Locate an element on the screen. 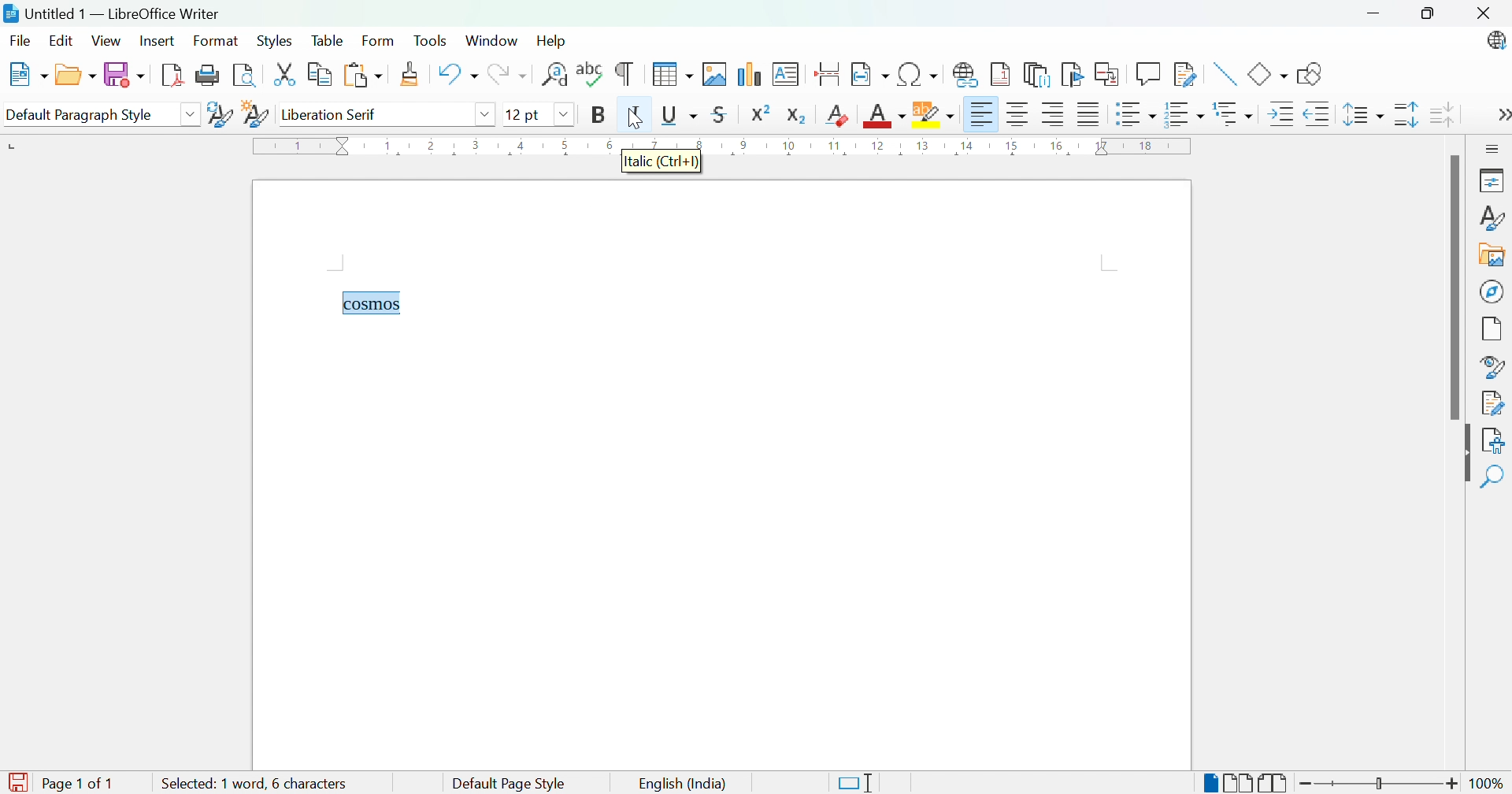 Image resolution: width=1512 pixels, height=794 pixels. Standard selection. Click to change selection mode. is located at coordinates (856, 783).